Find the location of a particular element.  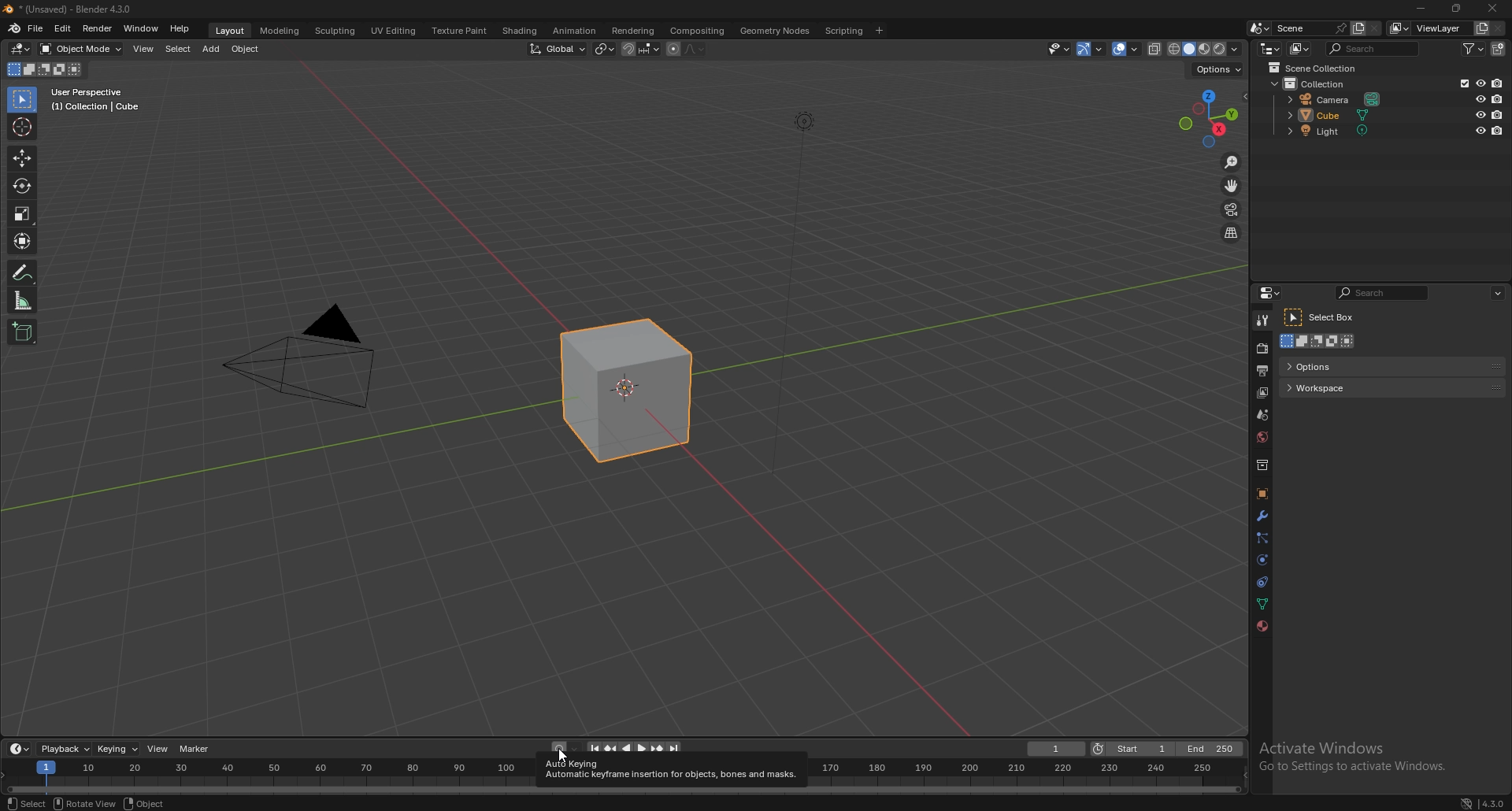

texture paint is located at coordinates (461, 31).